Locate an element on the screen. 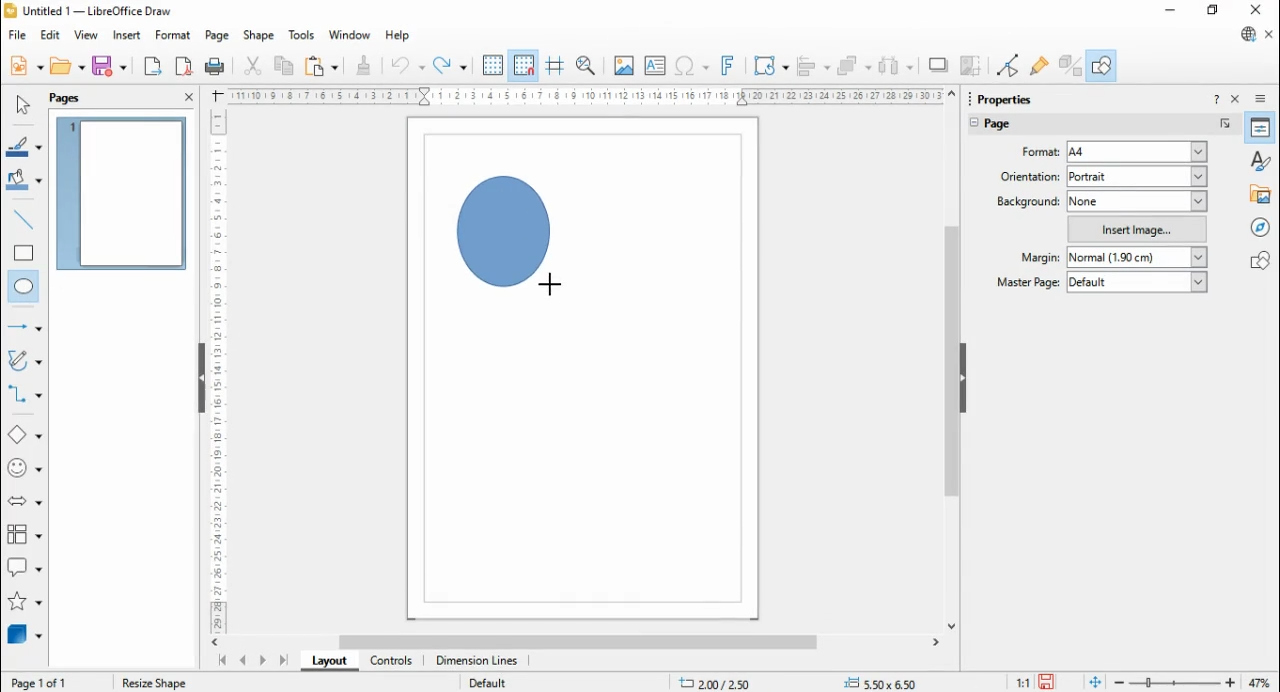  undo is located at coordinates (408, 66).